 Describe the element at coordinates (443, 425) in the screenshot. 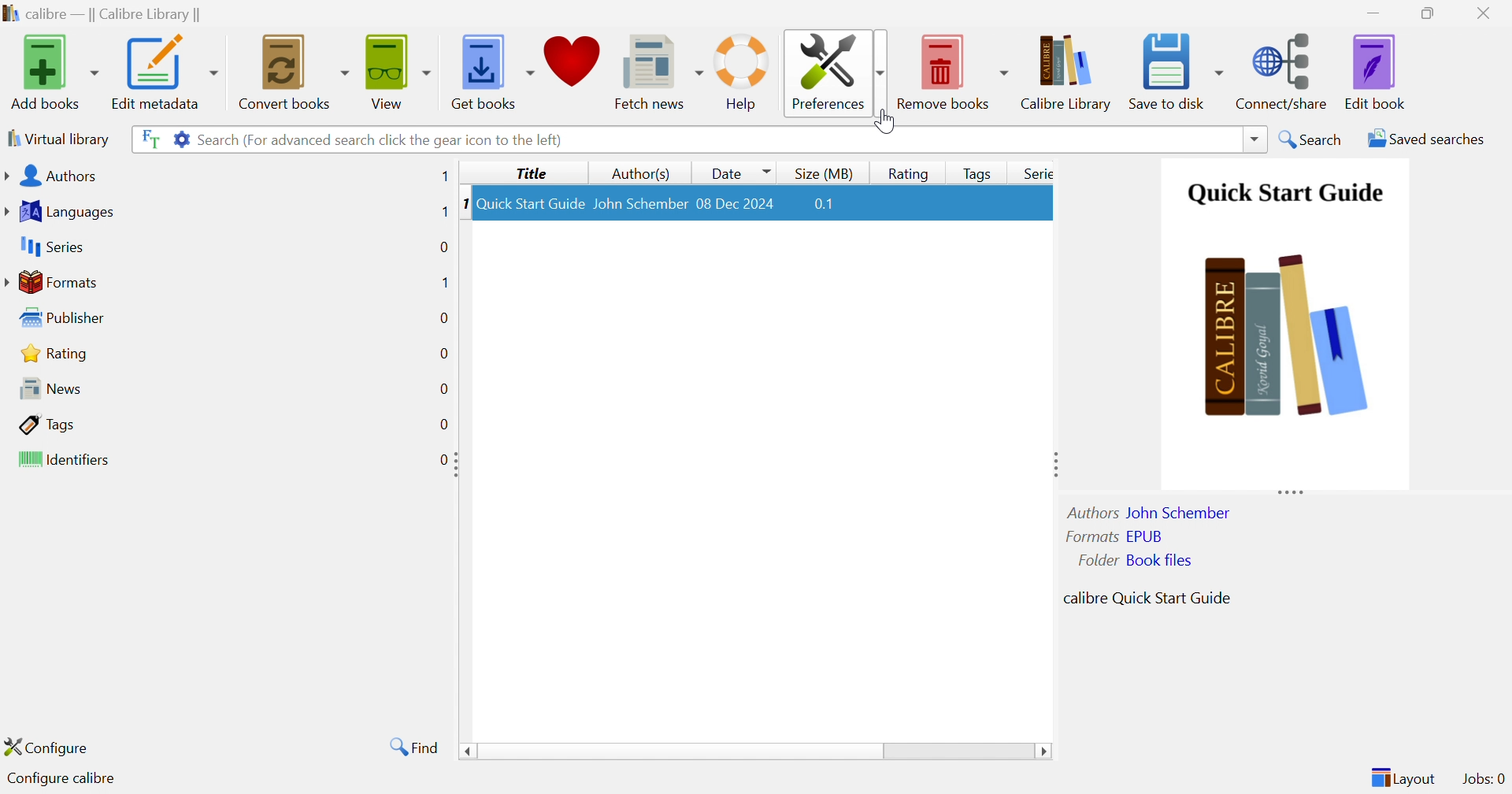

I see `0` at that location.